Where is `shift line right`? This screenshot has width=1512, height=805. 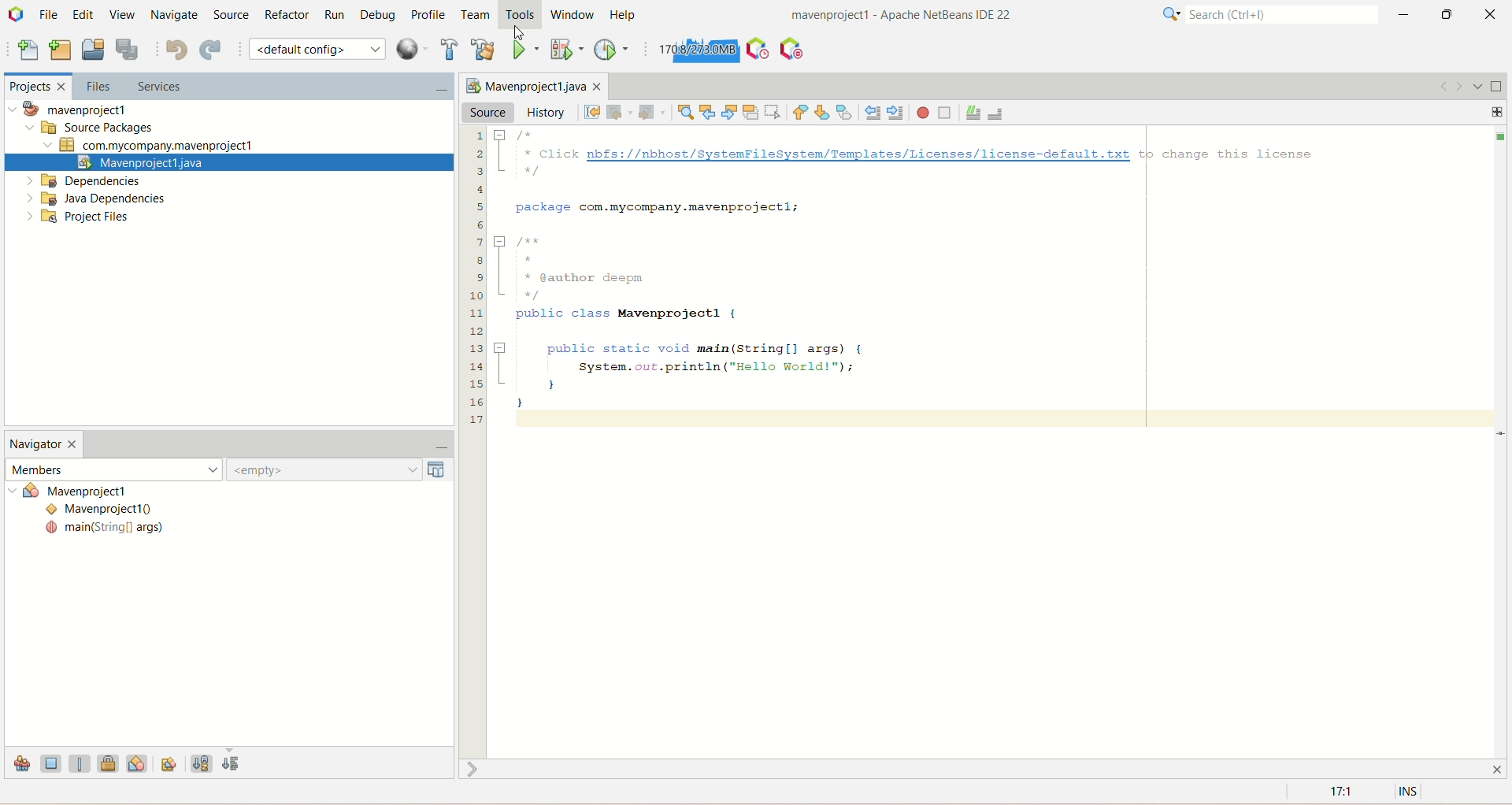
shift line right is located at coordinates (896, 113).